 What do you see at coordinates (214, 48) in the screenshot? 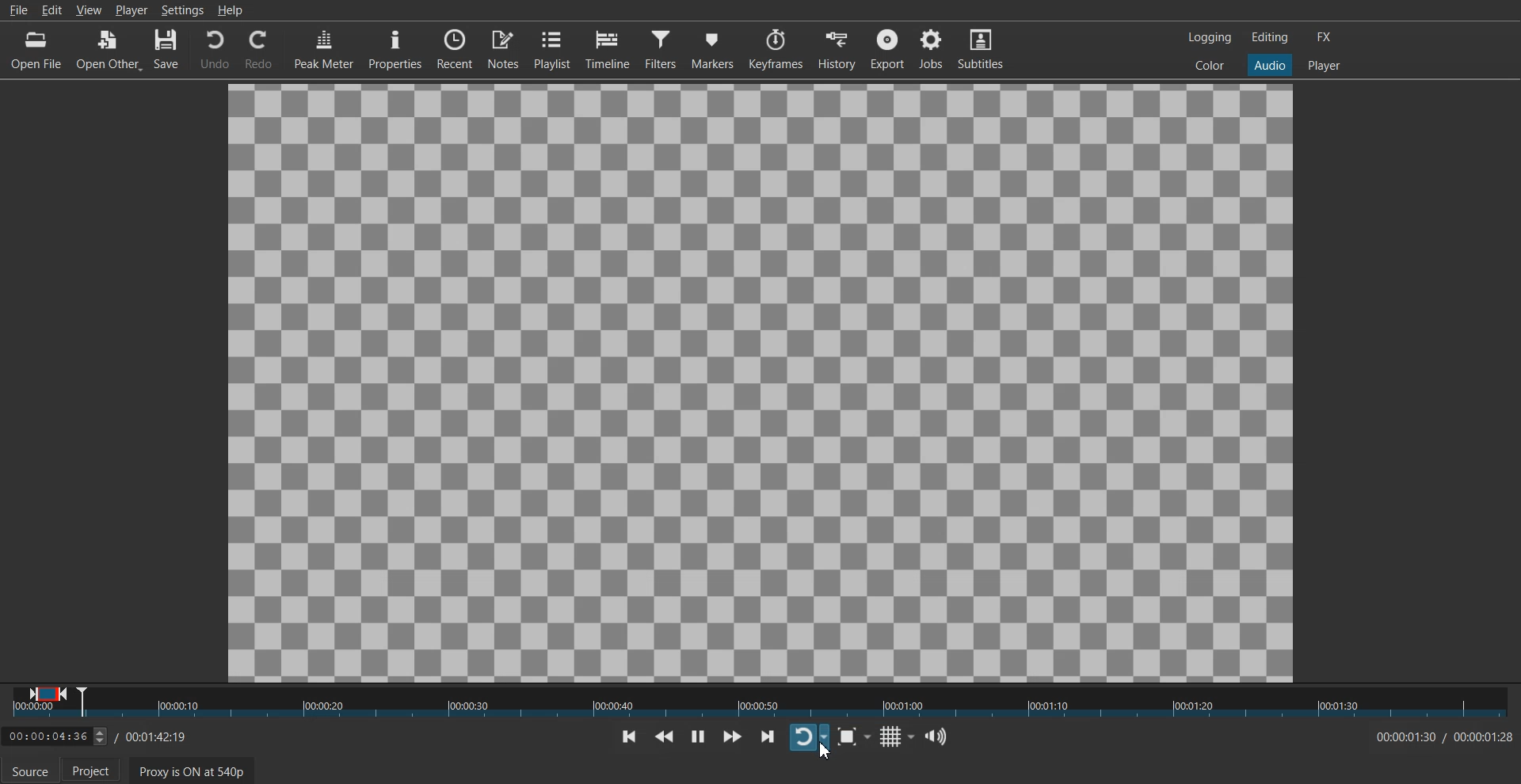
I see `Undo` at bounding box center [214, 48].